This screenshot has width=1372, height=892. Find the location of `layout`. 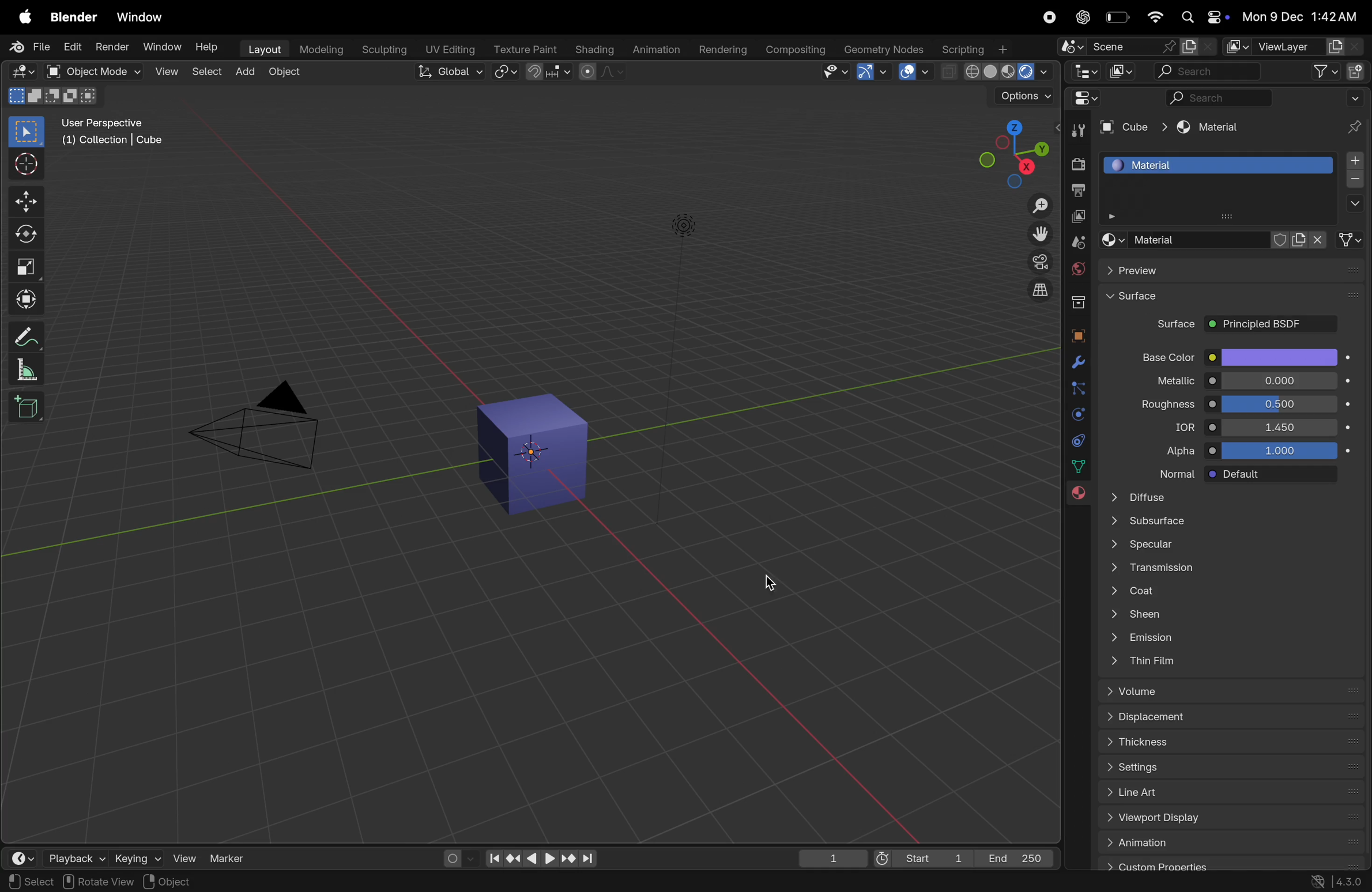

layout is located at coordinates (263, 50).